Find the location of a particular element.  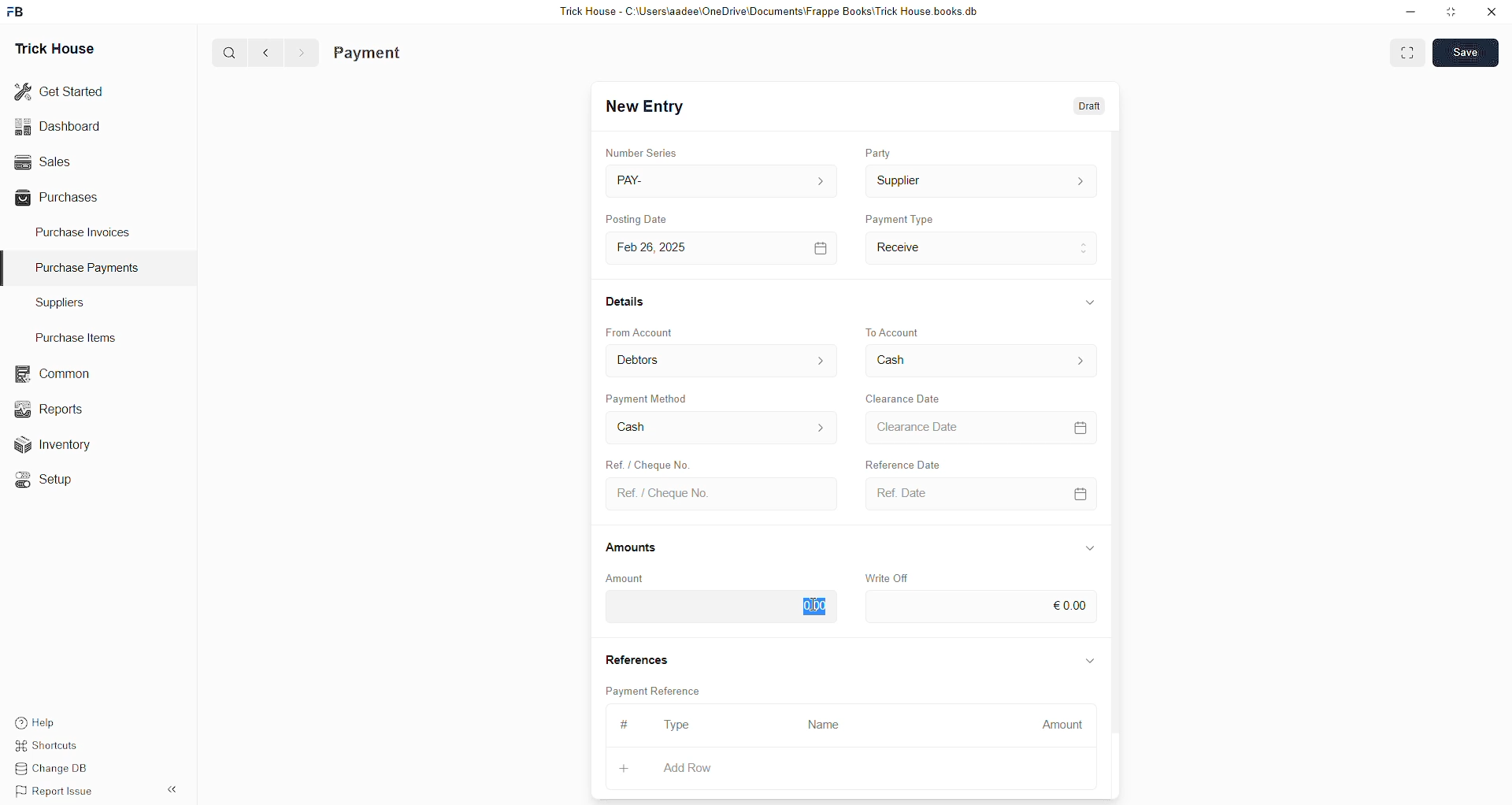

Payment is located at coordinates (370, 52).